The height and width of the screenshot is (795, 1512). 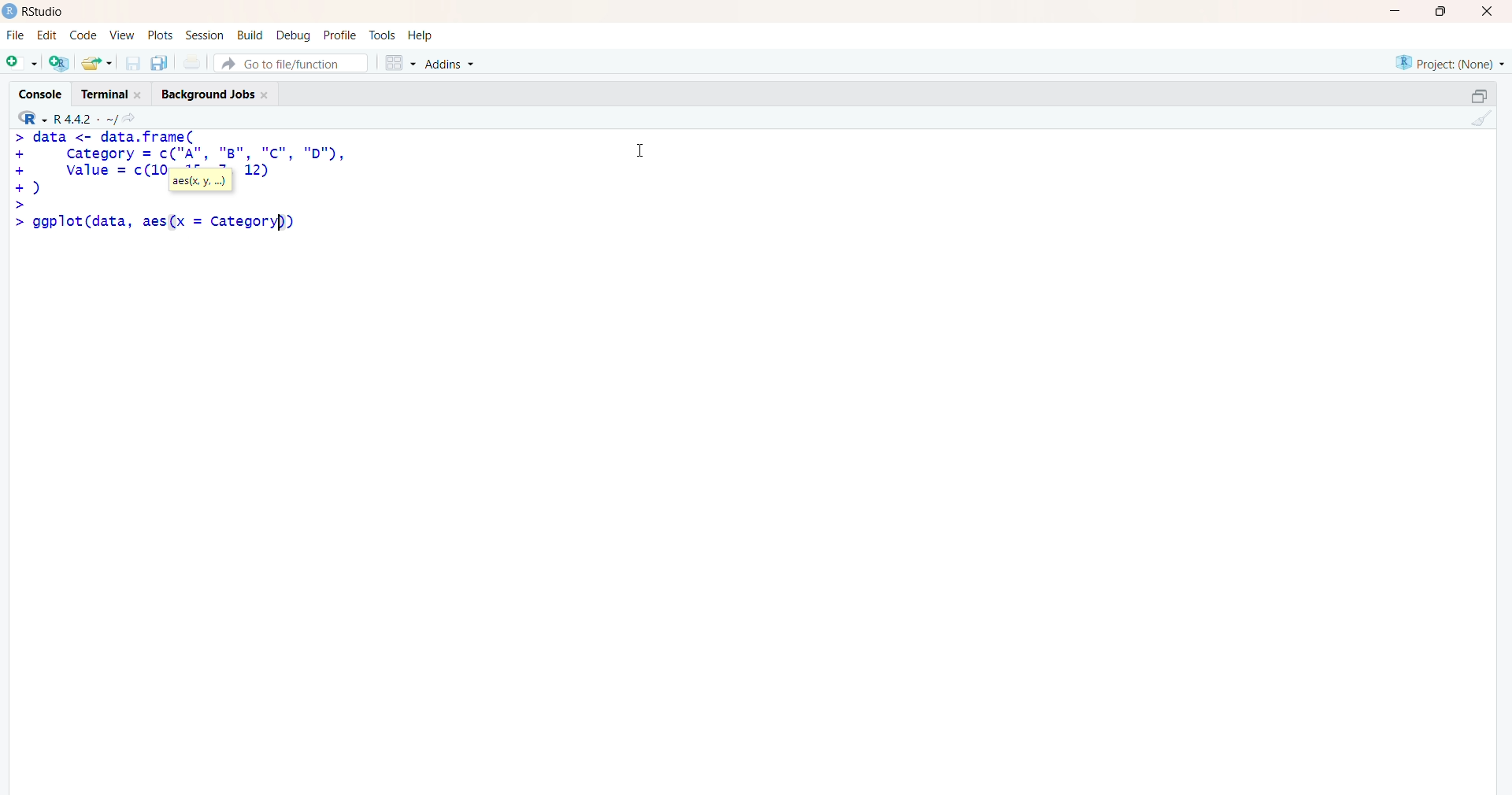 What do you see at coordinates (399, 62) in the screenshot?
I see `grid view` at bounding box center [399, 62].